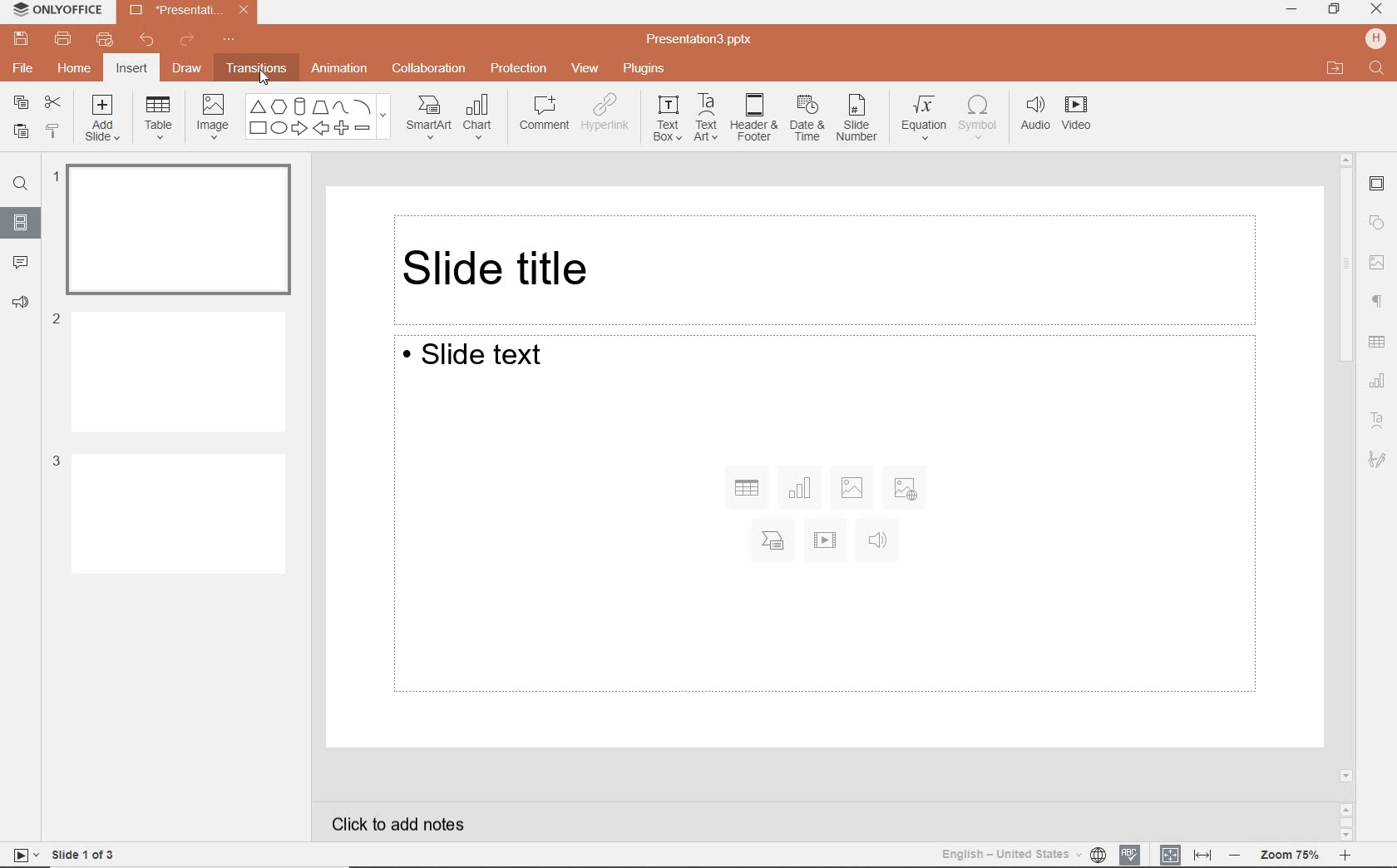  Describe the element at coordinates (1380, 302) in the screenshot. I see `paragraph settings` at that location.